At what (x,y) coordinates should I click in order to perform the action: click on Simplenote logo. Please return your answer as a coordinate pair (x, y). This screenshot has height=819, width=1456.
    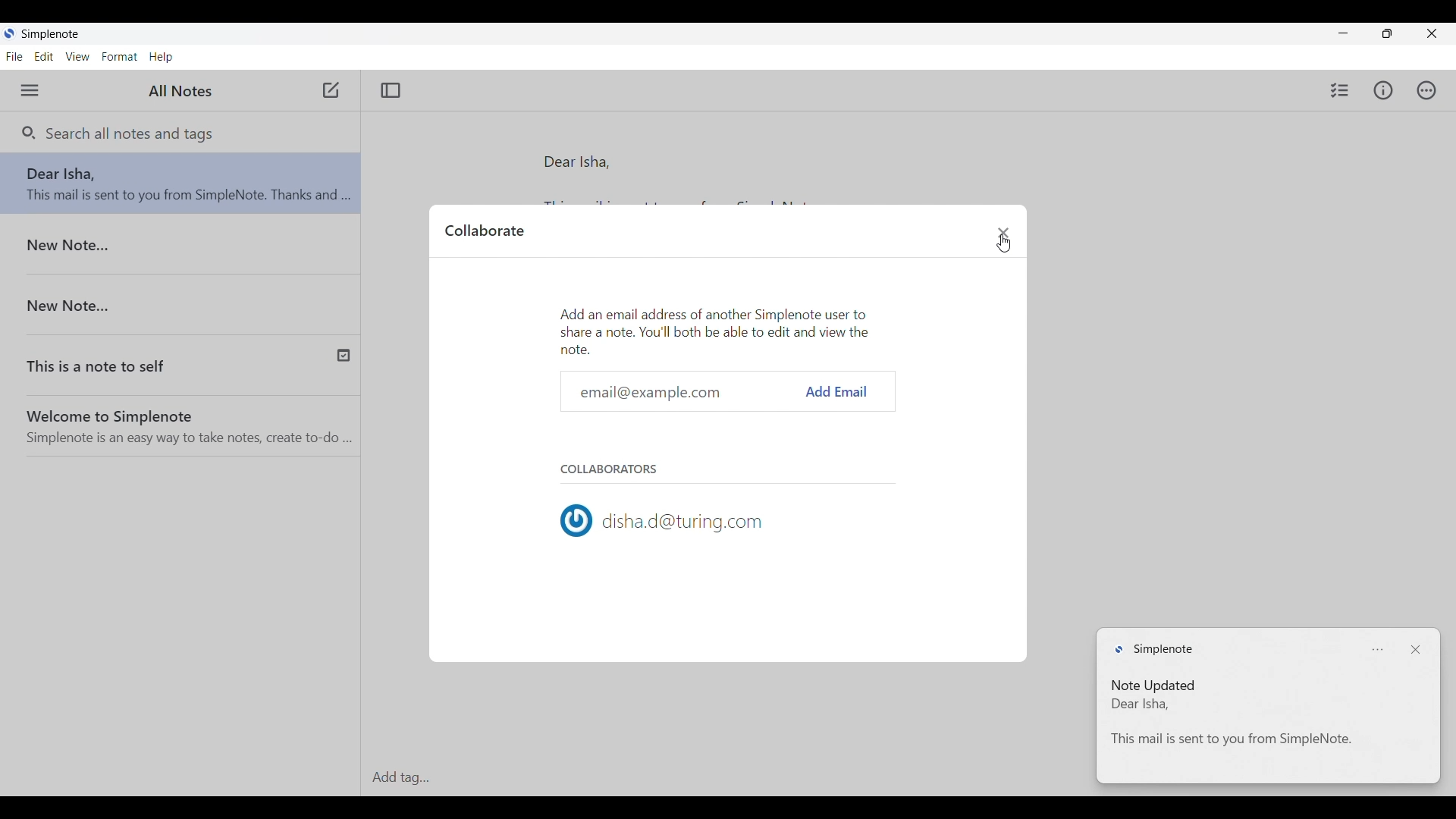
    Looking at the image, I should click on (1153, 649).